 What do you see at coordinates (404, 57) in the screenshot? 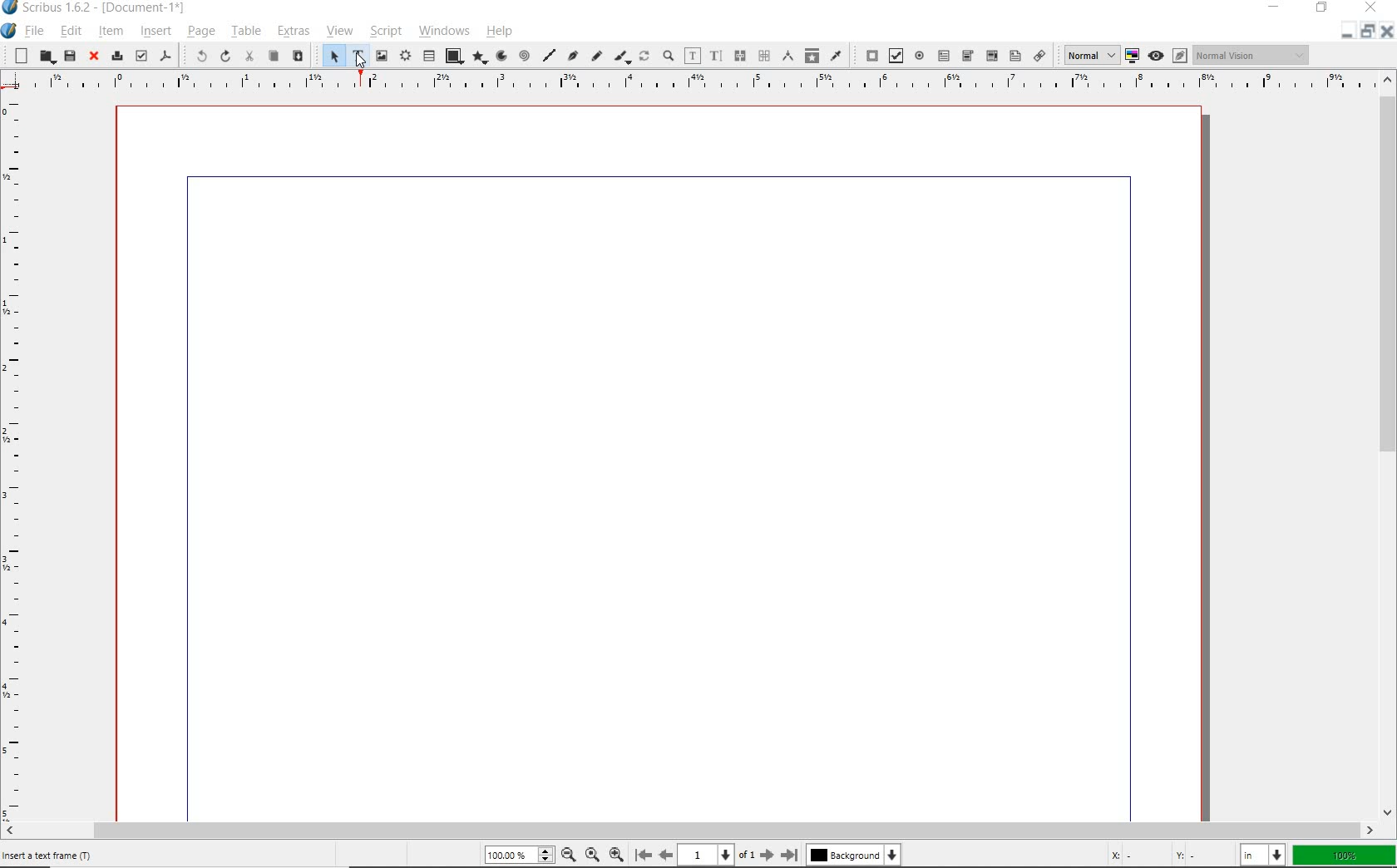
I see `render frame` at bounding box center [404, 57].